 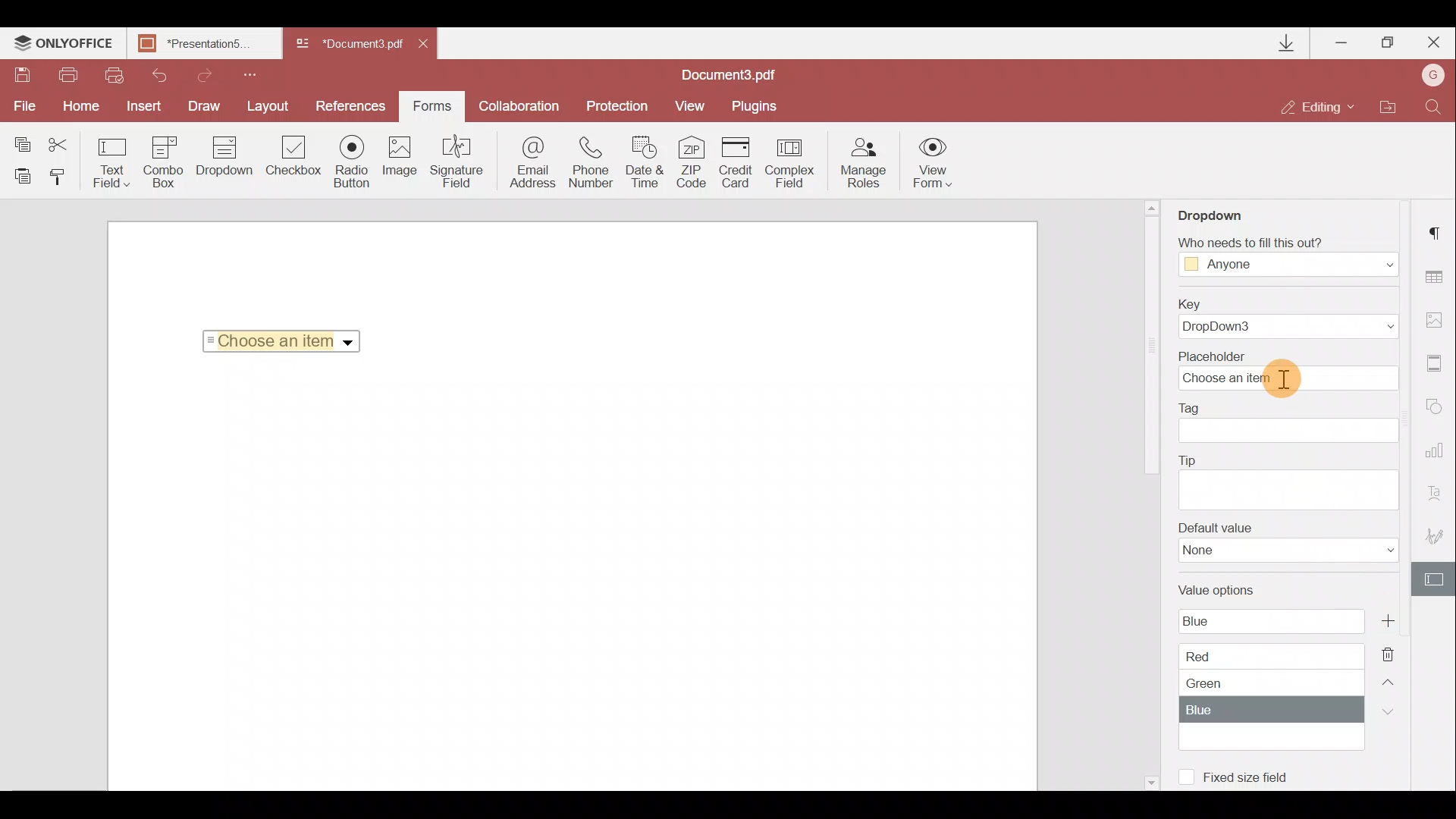 I want to click on Working area, so click(x=570, y=579).